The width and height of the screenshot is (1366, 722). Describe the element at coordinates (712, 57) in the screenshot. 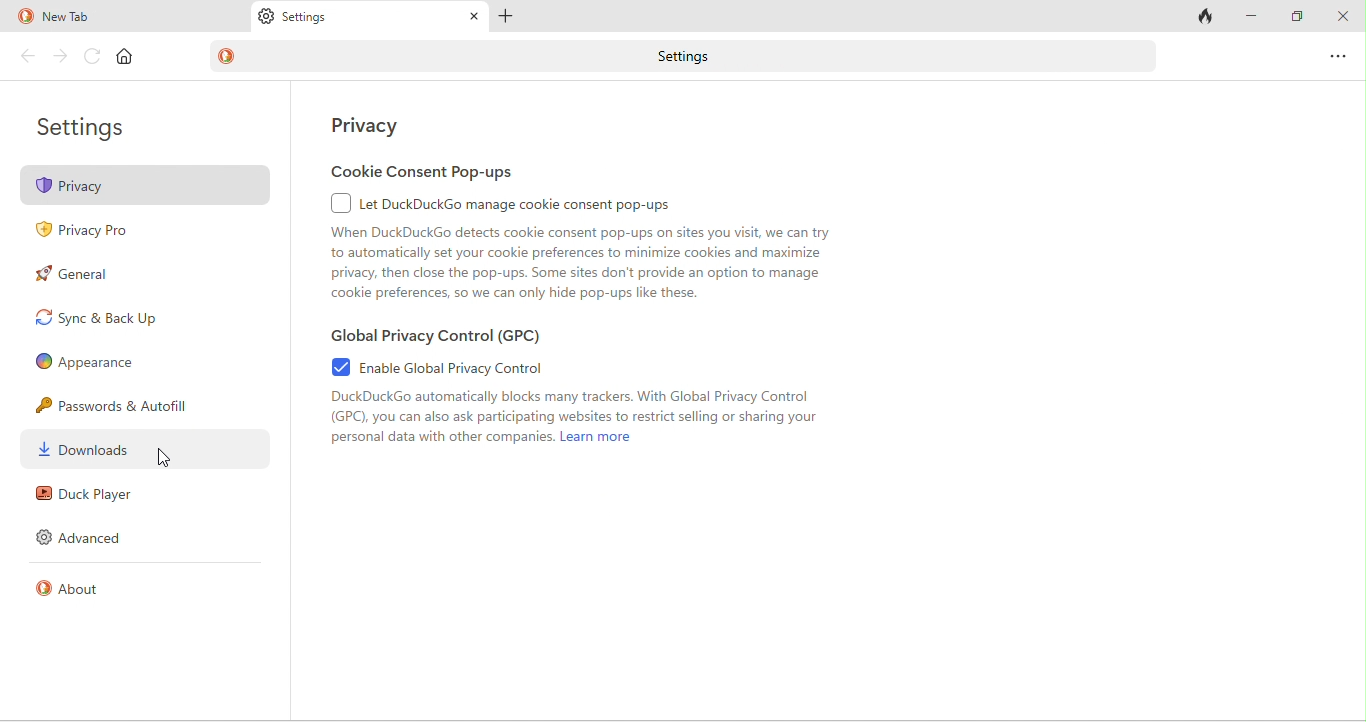

I see `settings` at that location.